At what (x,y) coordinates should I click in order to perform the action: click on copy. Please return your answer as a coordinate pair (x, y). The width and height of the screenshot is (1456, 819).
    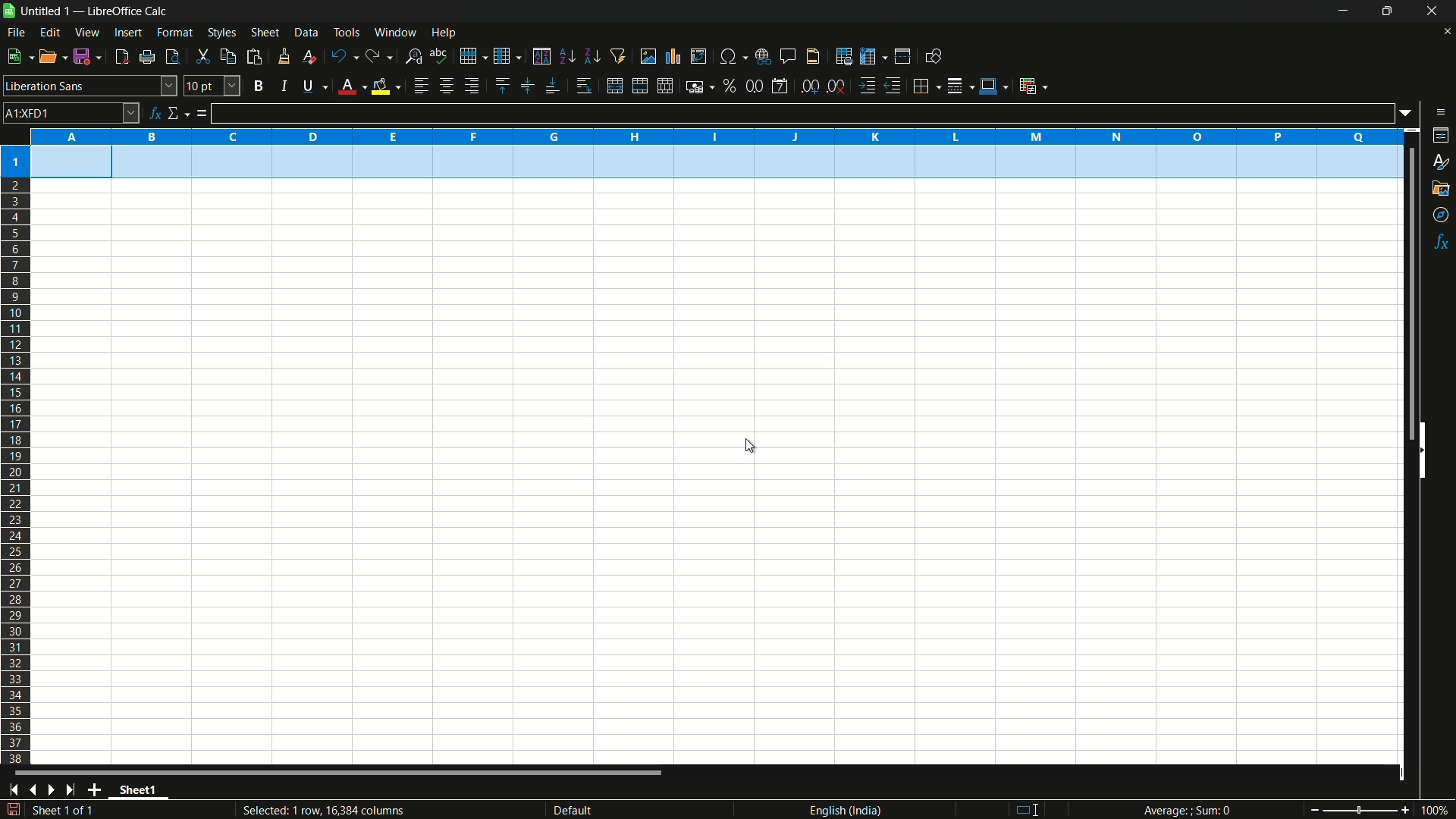
    Looking at the image, I should click on (227, 56).